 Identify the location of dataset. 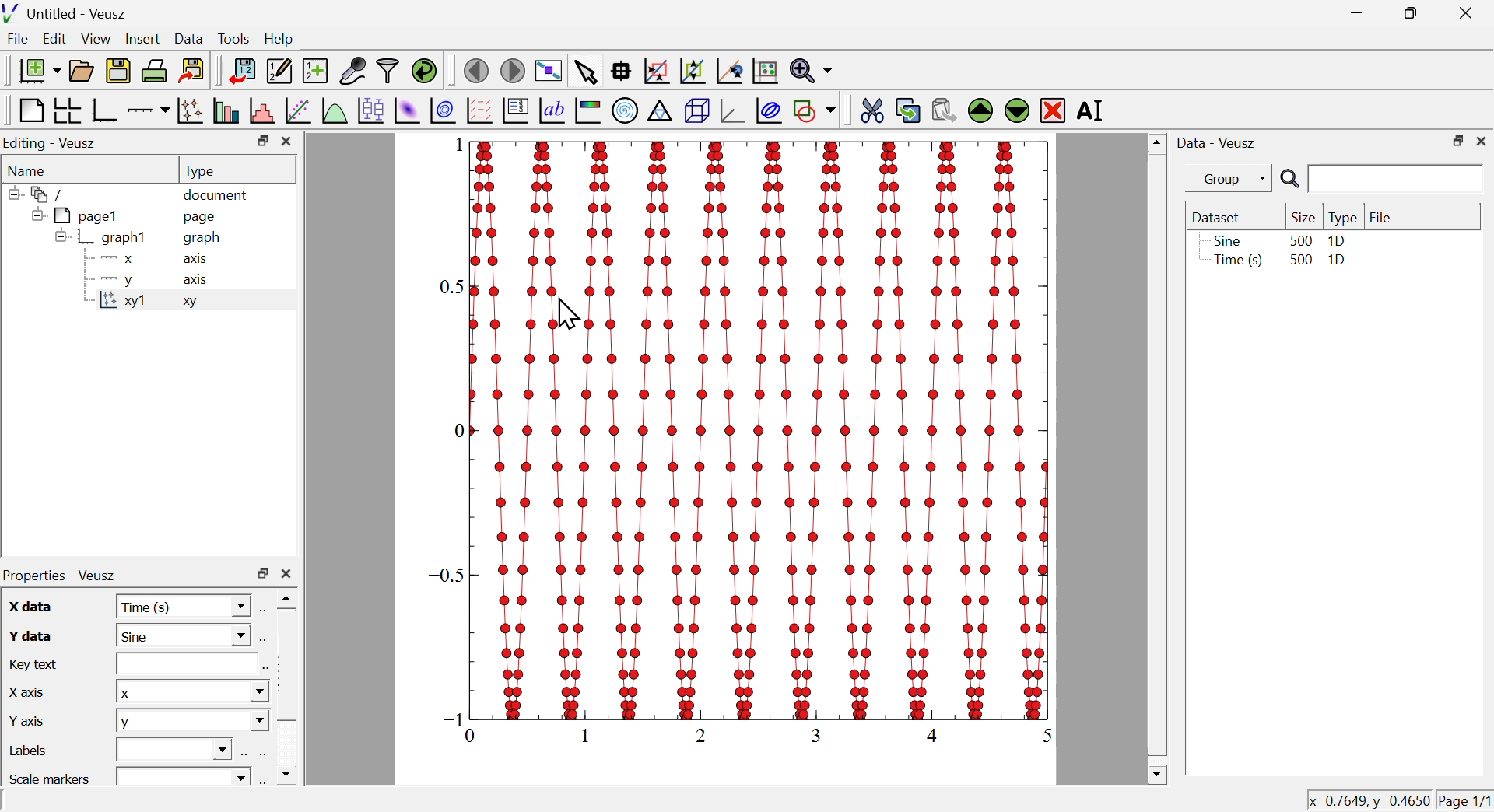
(1220, 217).